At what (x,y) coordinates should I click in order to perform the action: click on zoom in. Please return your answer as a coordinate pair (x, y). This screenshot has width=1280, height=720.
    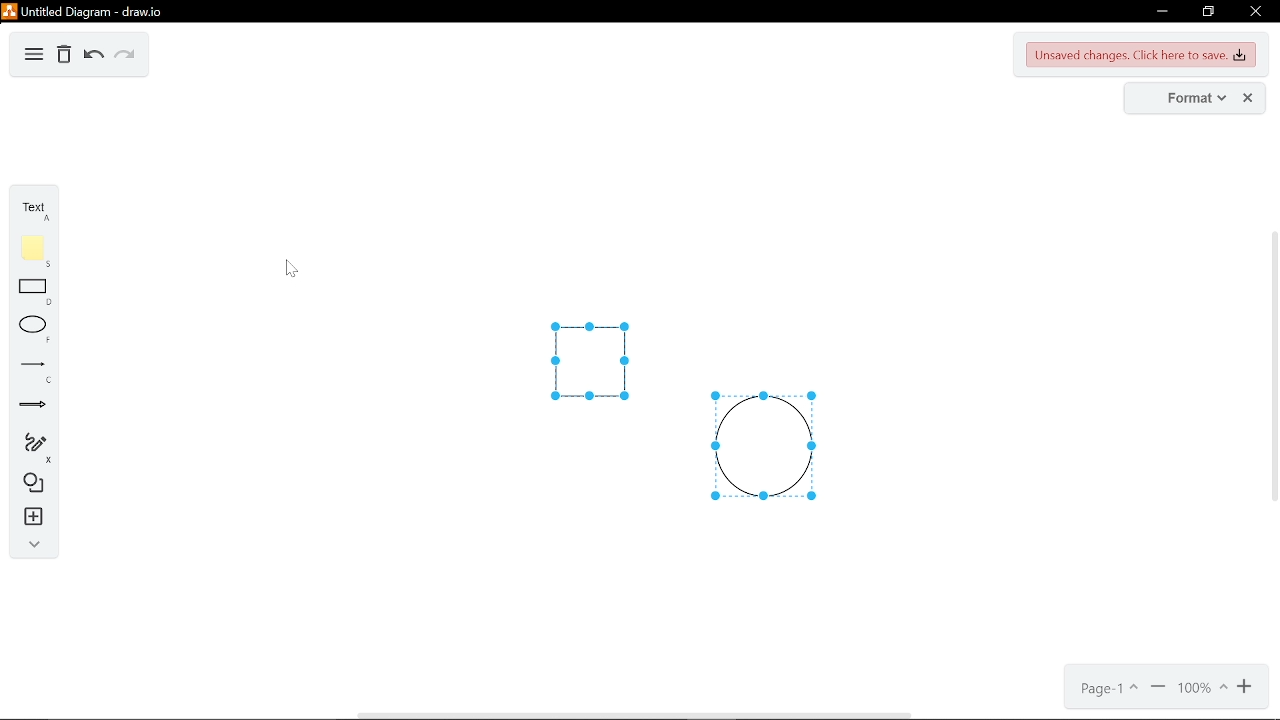
    Looking at the image, I should click on (1246, 689).